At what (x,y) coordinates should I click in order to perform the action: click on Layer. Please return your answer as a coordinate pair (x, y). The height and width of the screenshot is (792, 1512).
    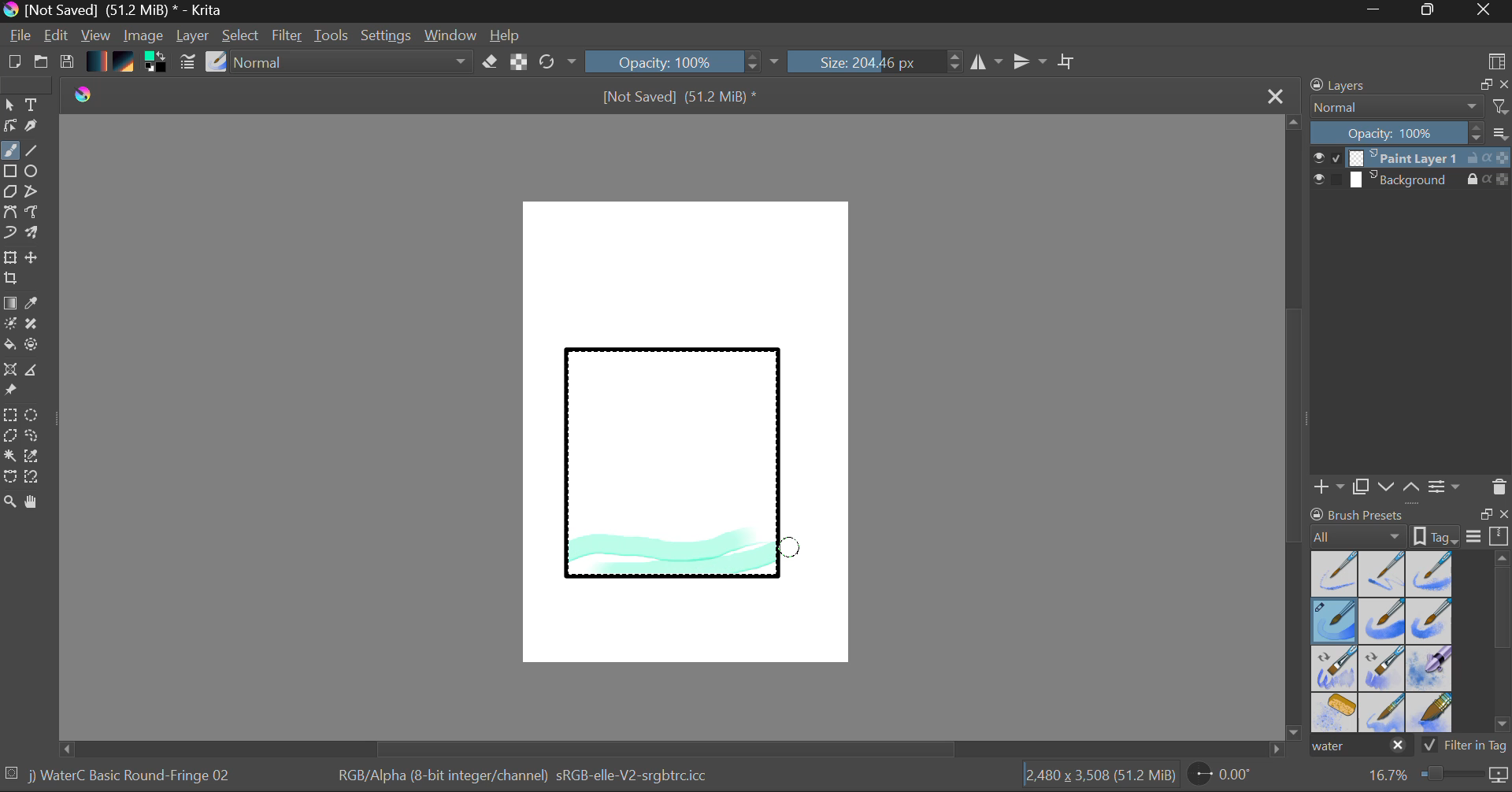
    Looking at the image, I should click on (195, 35).